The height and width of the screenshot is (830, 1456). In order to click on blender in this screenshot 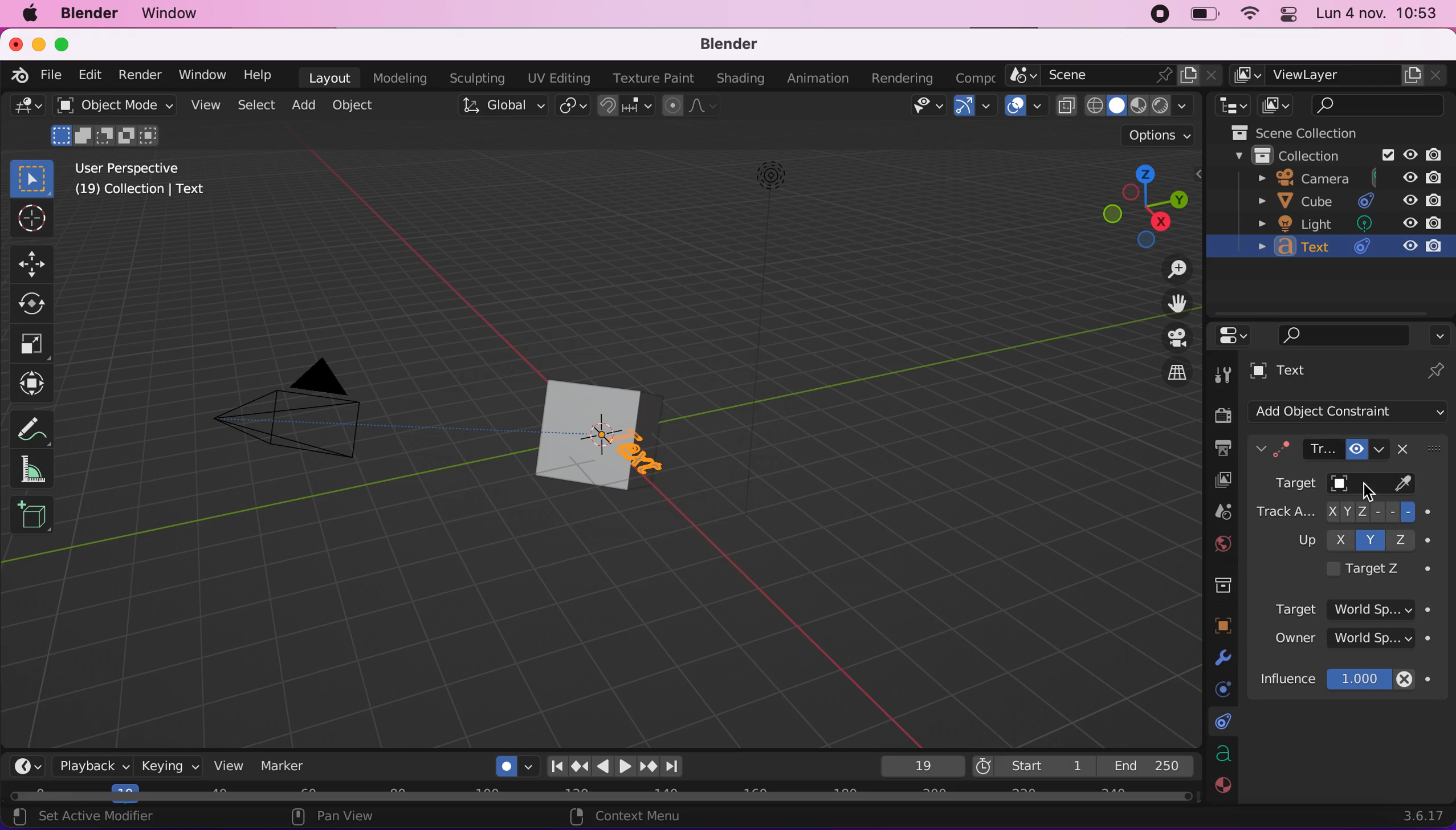, I will do `click(96, 15)`.